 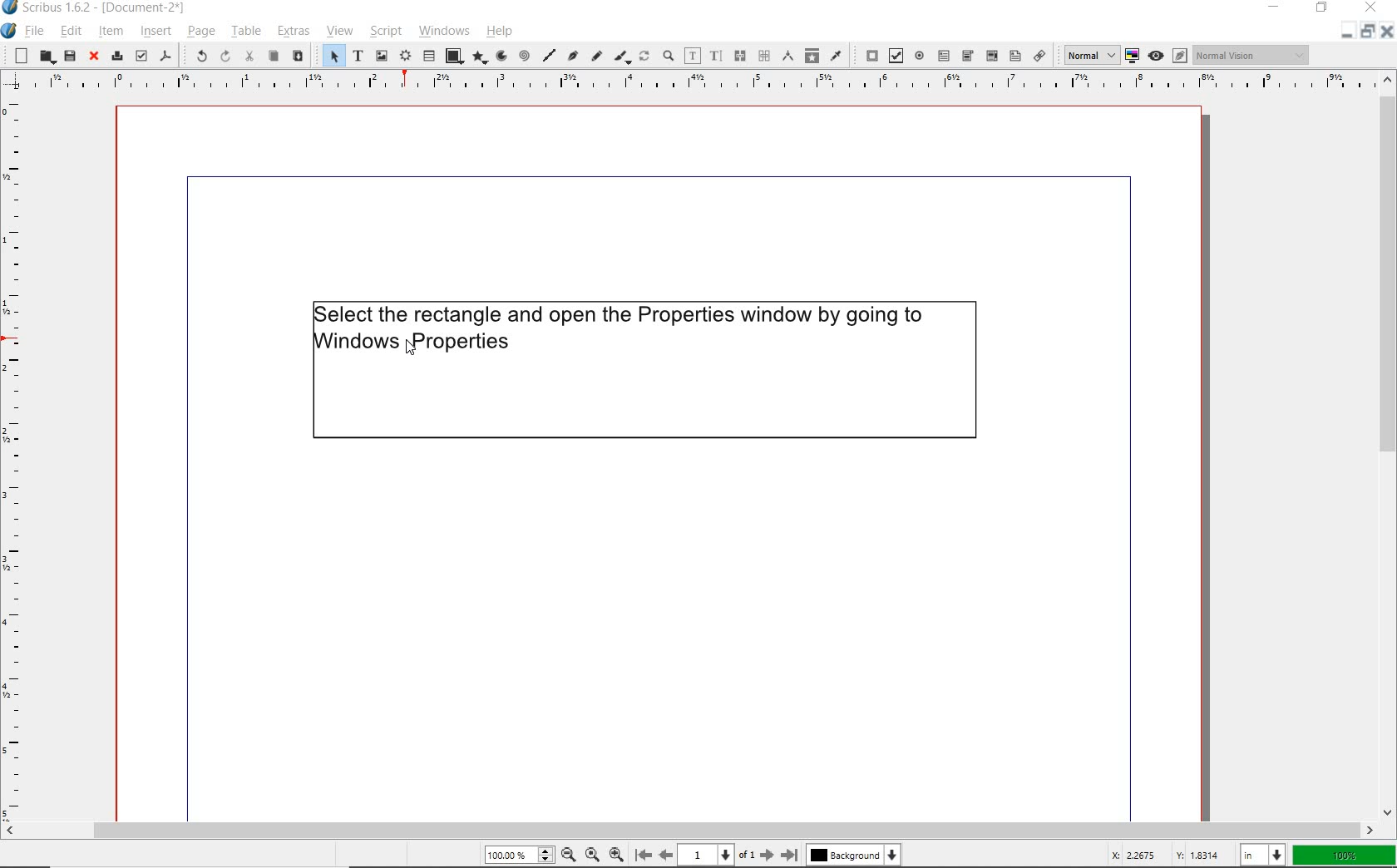 What do you see at coordinates (517, 855) in the screenshot?
I see `100.00%` at bounding box center [517, 855].